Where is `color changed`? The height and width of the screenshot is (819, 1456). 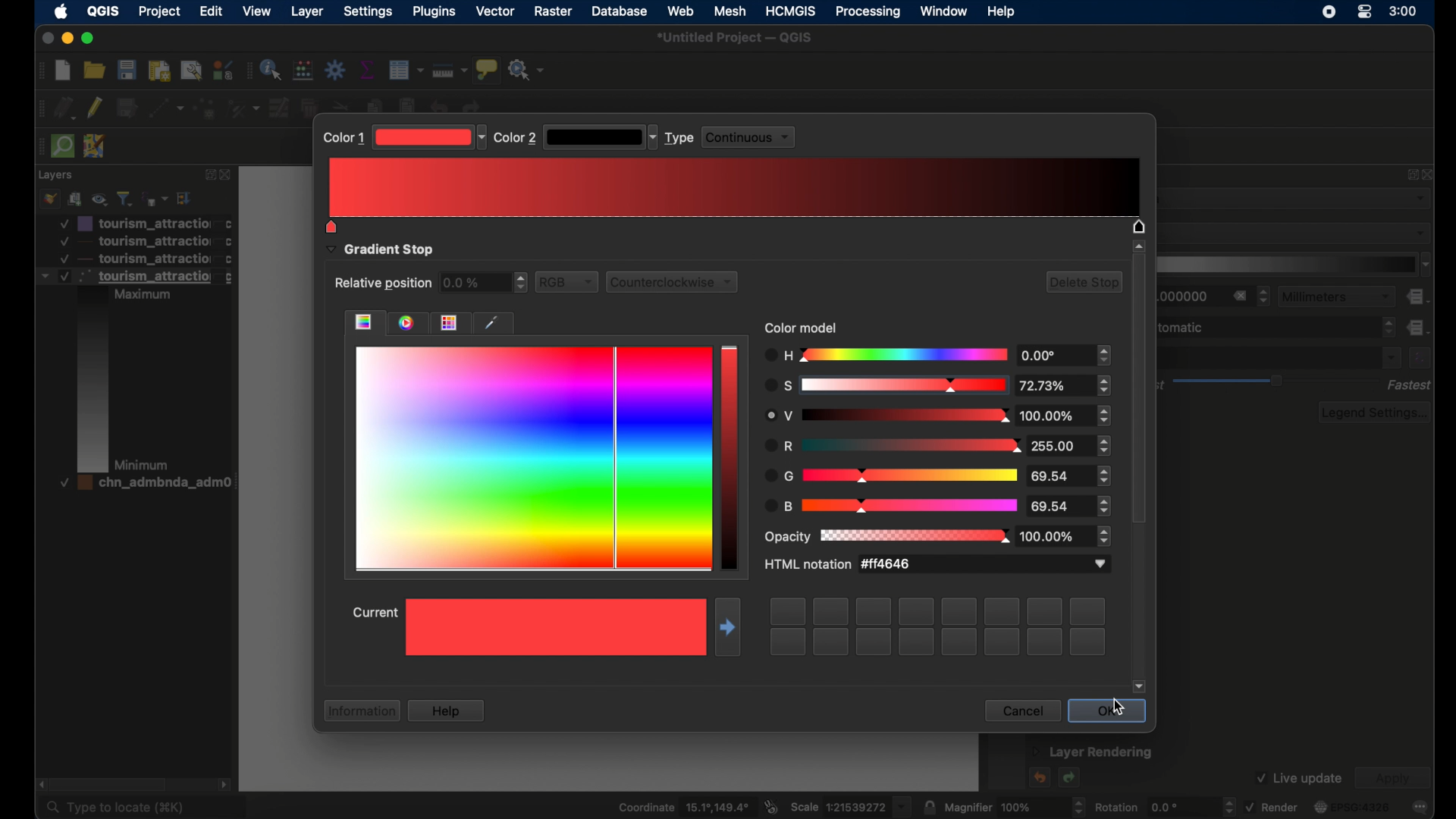
color changed is located at coordinates (908, 445).